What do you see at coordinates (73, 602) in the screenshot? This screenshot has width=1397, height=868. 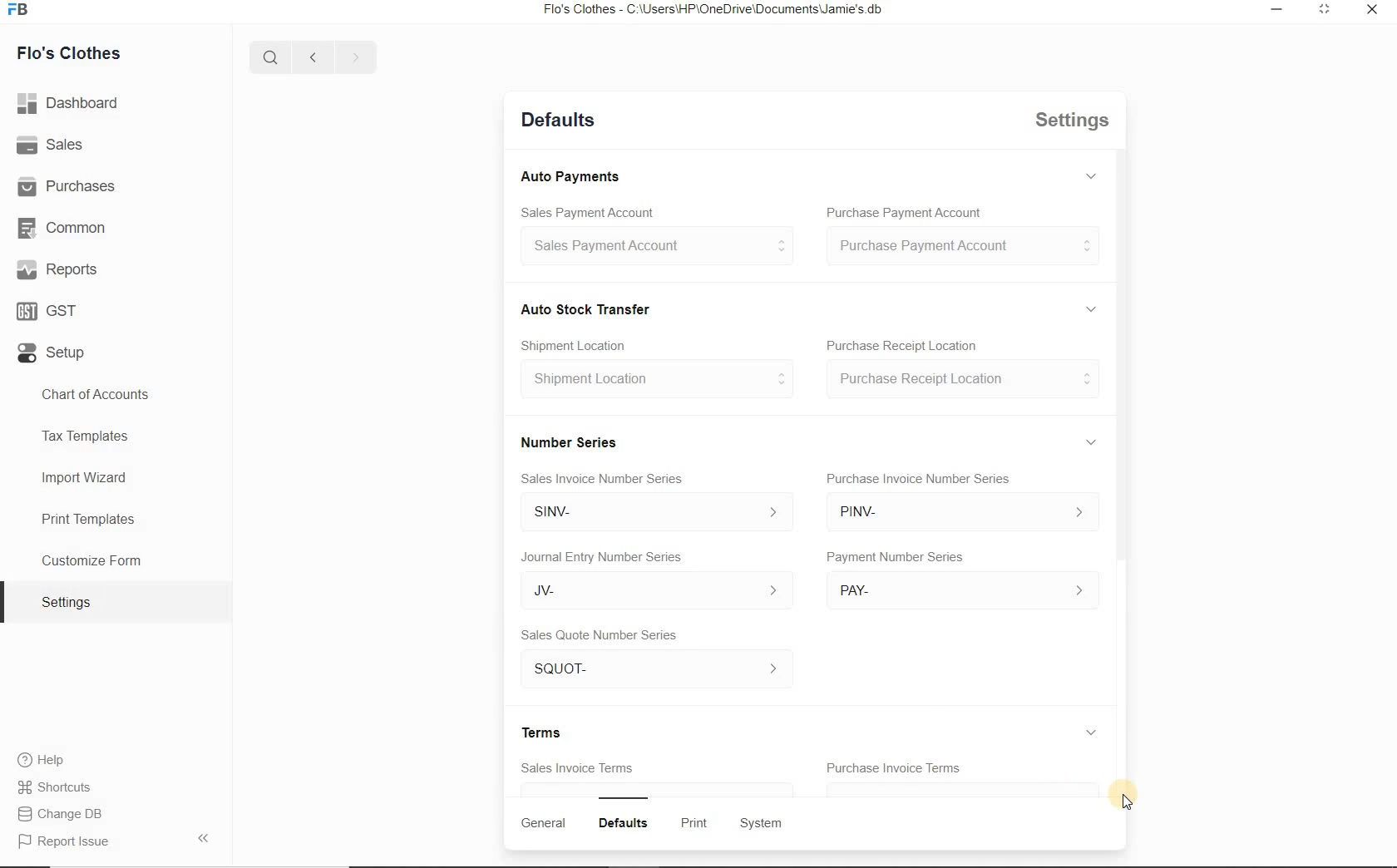 I see `Settings` at bounding box center [73, 602].